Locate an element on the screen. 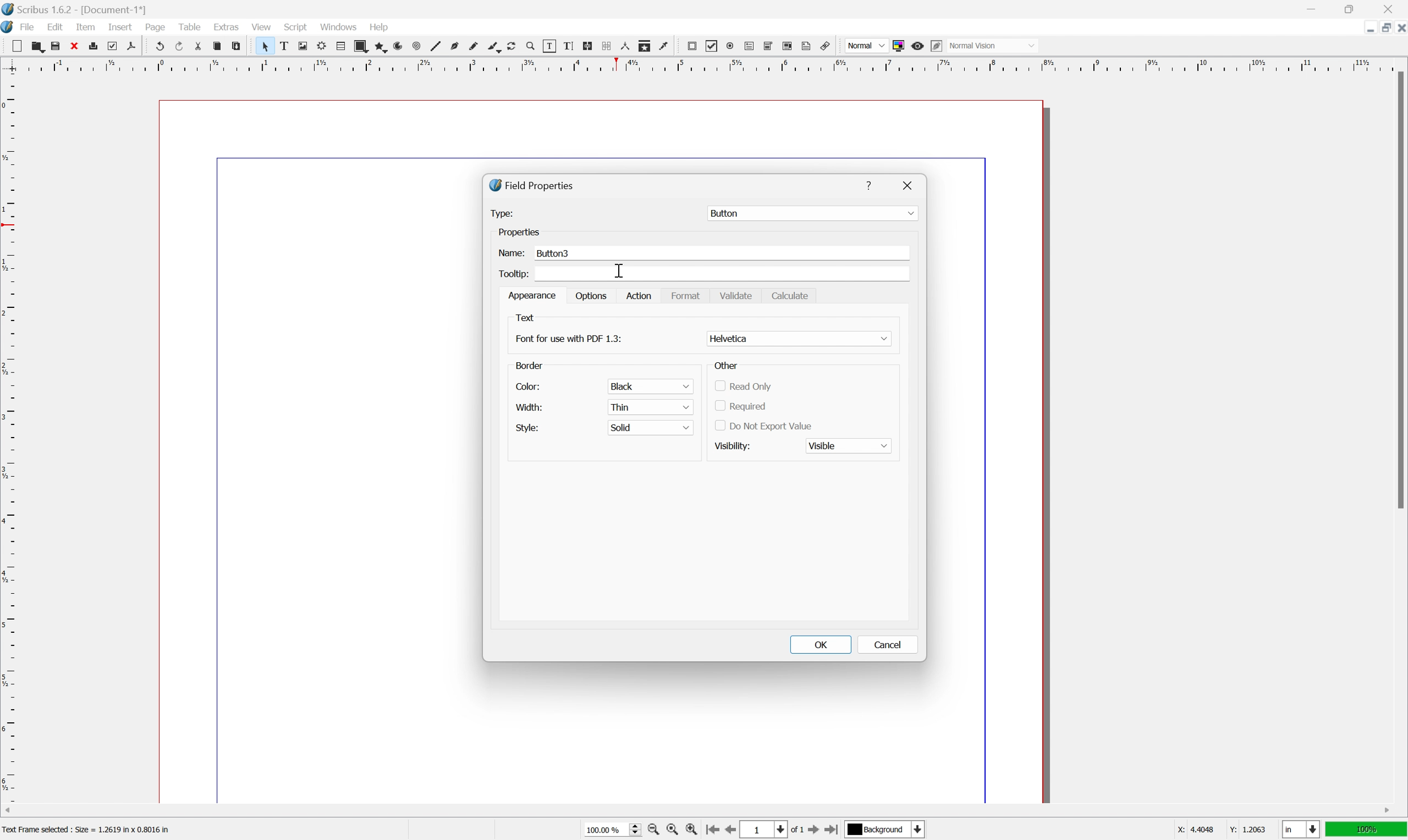 This screenshot has width=1408, height=840. visibility is located at coordinates (736, 444).